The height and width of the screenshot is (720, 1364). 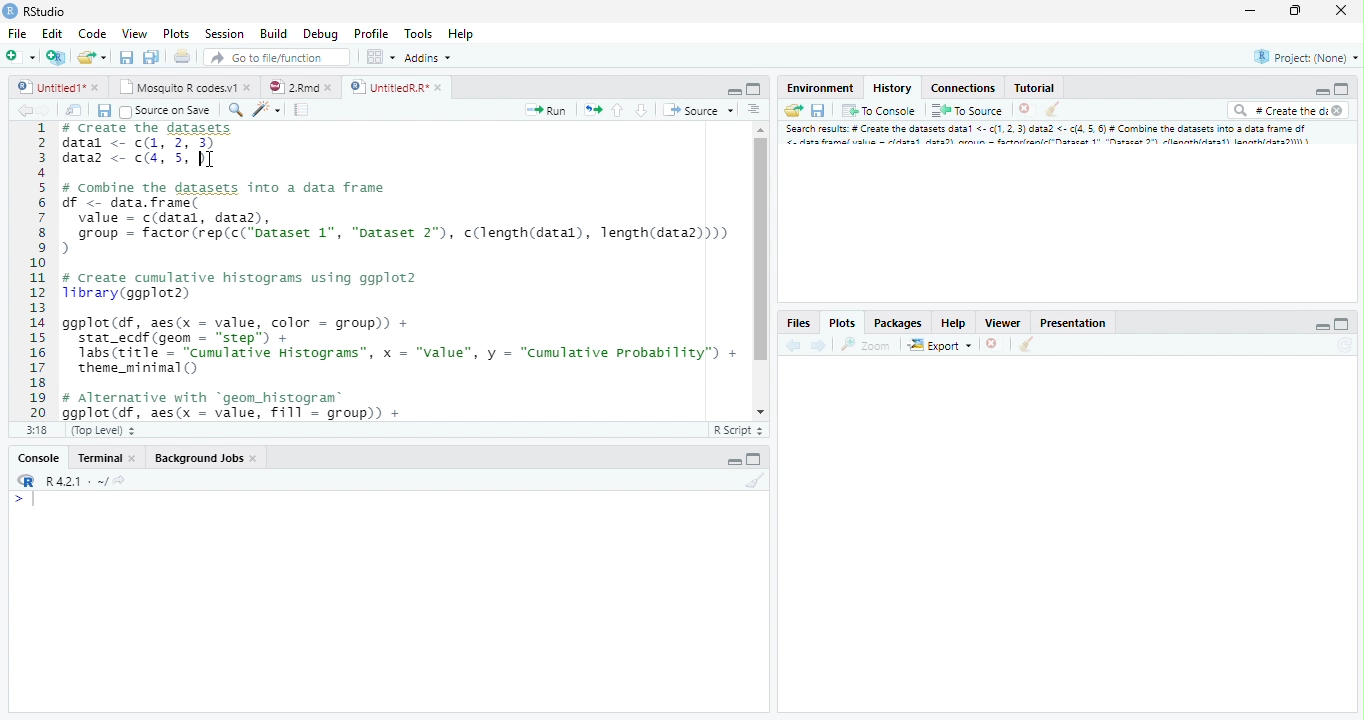 I want to click on Delete , so click(x=992, y=342).